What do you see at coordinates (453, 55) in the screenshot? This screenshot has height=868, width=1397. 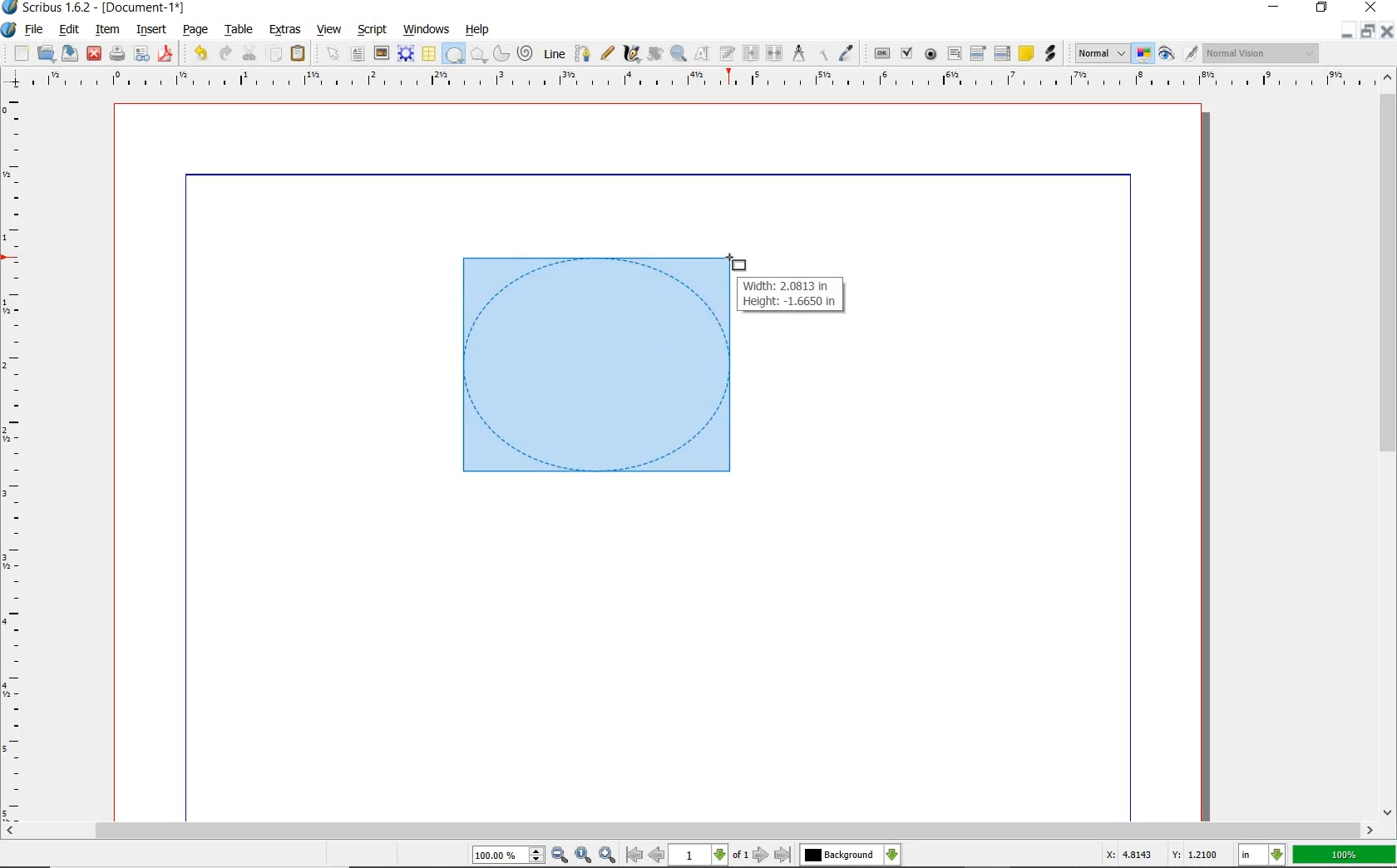 I see `SHAPE` at bounding box center [453, 55].